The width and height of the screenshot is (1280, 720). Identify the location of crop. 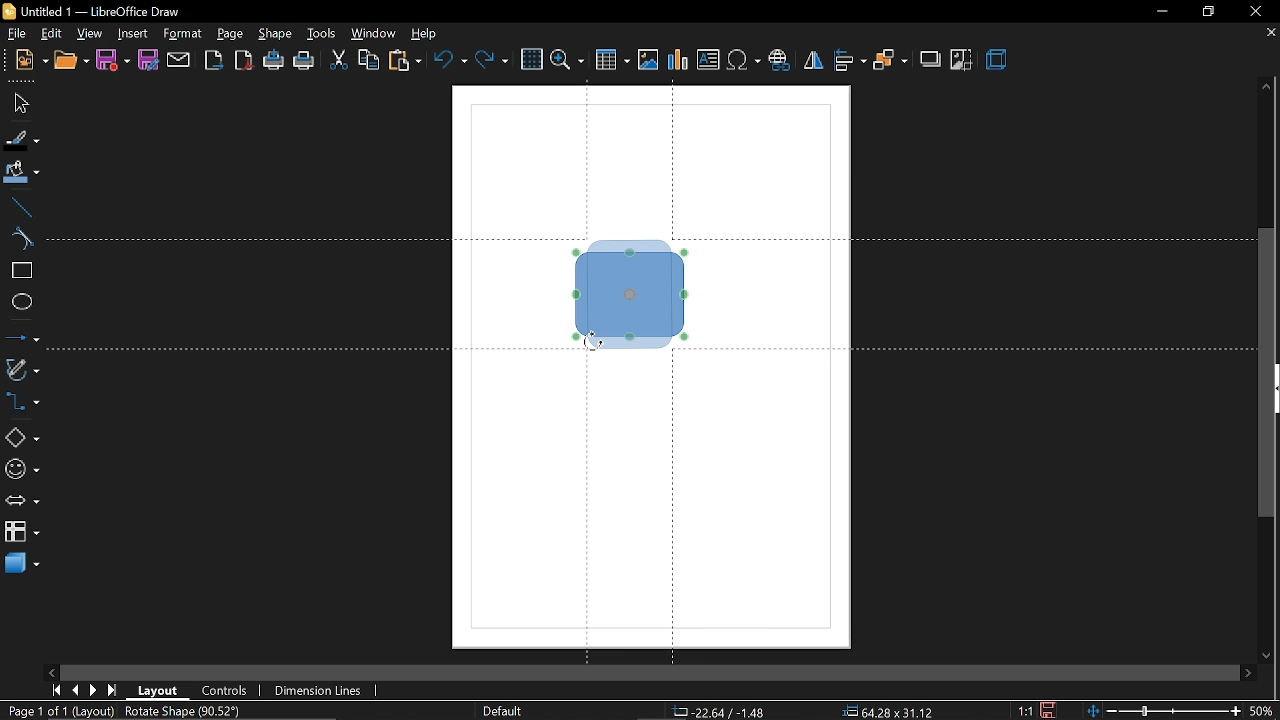
(963, 59).